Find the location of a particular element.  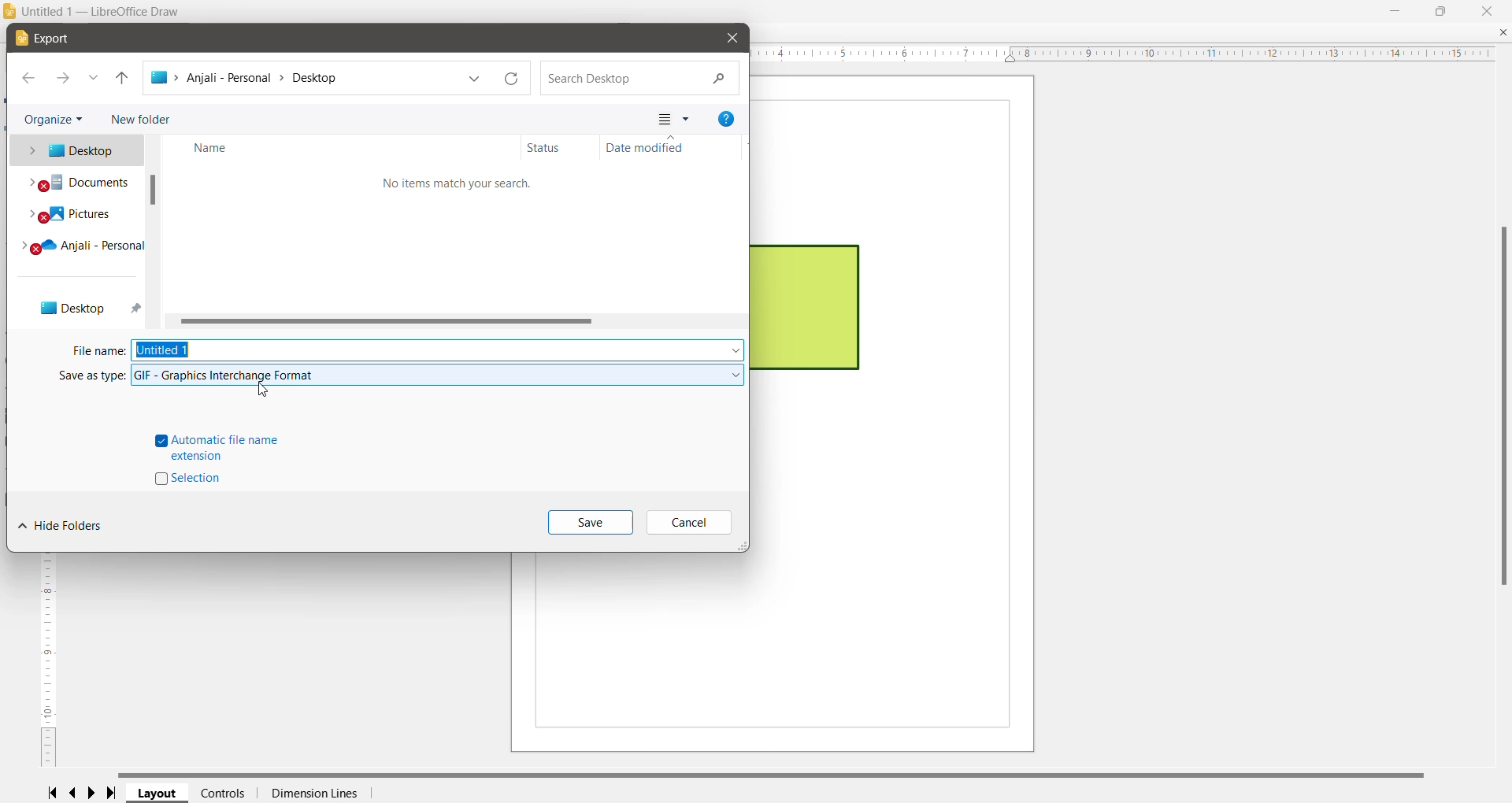

horizontal ruler is located at coordinates (1129, 54).